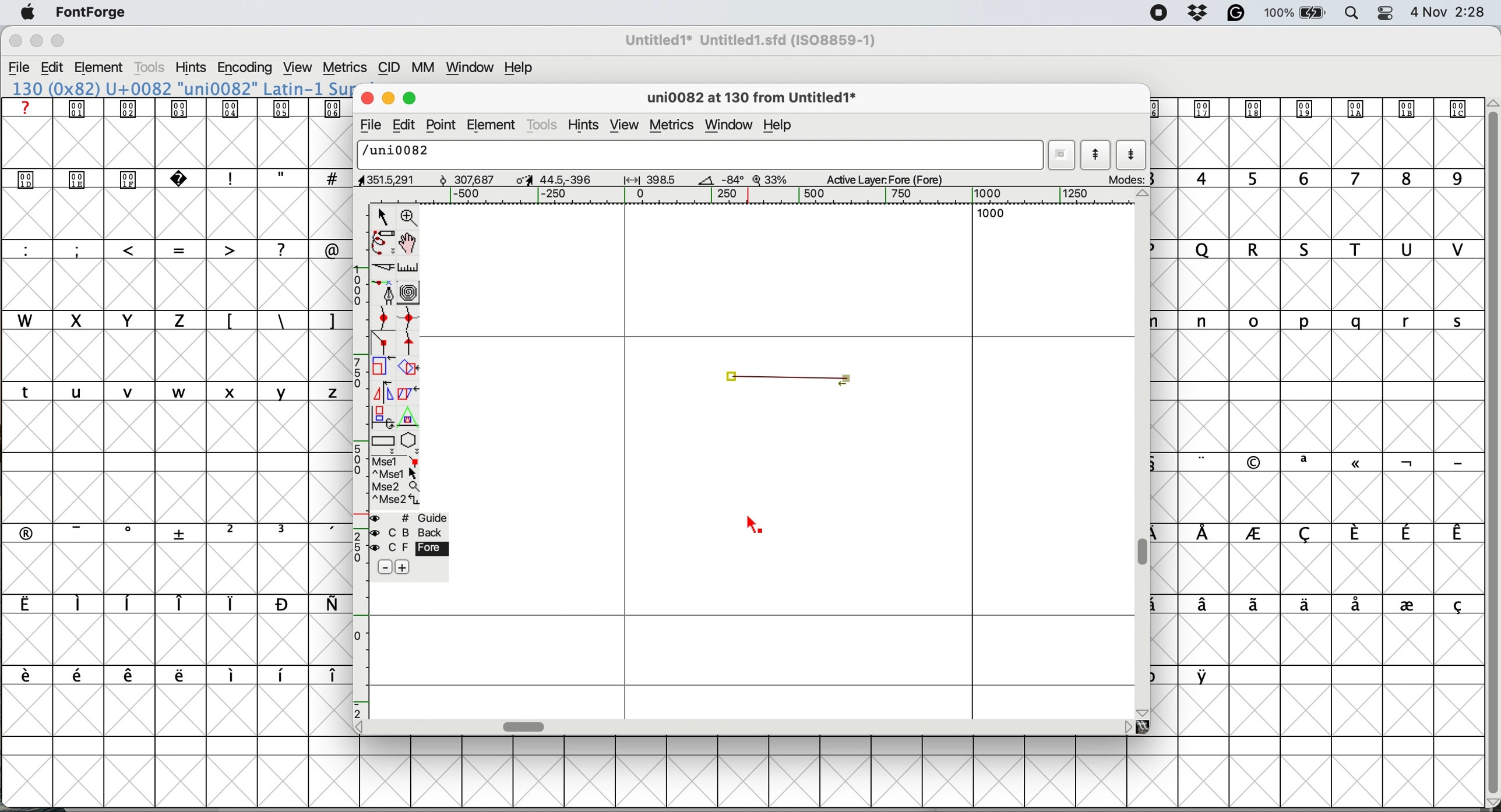 The height and width of the screenshot is (812, 1501). Describe the element at coordinates (385, 443) in the screenshot. I see `rectangles and ellipses` at that location.